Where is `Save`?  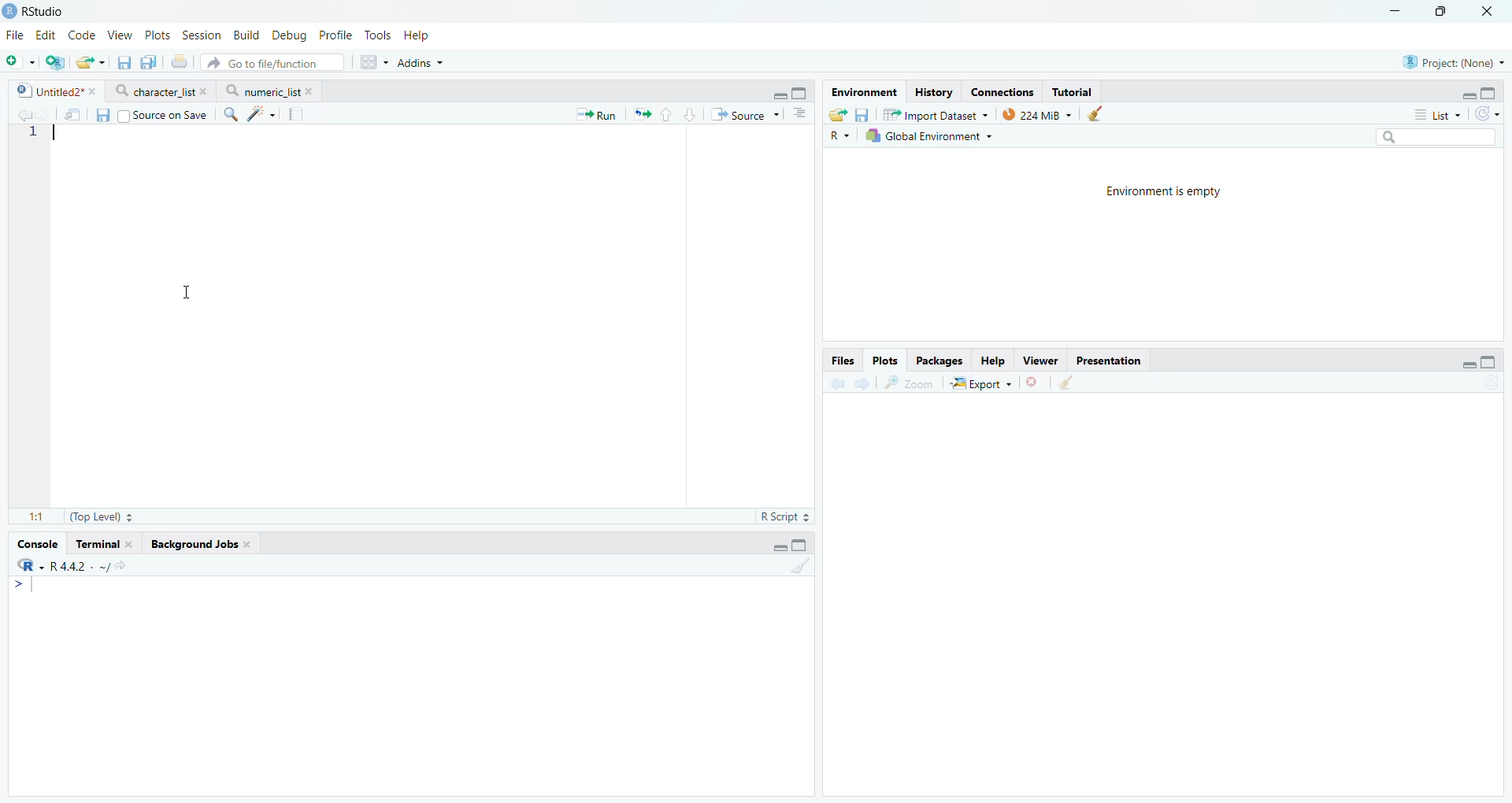
Save is located at coordinates (863, 113).